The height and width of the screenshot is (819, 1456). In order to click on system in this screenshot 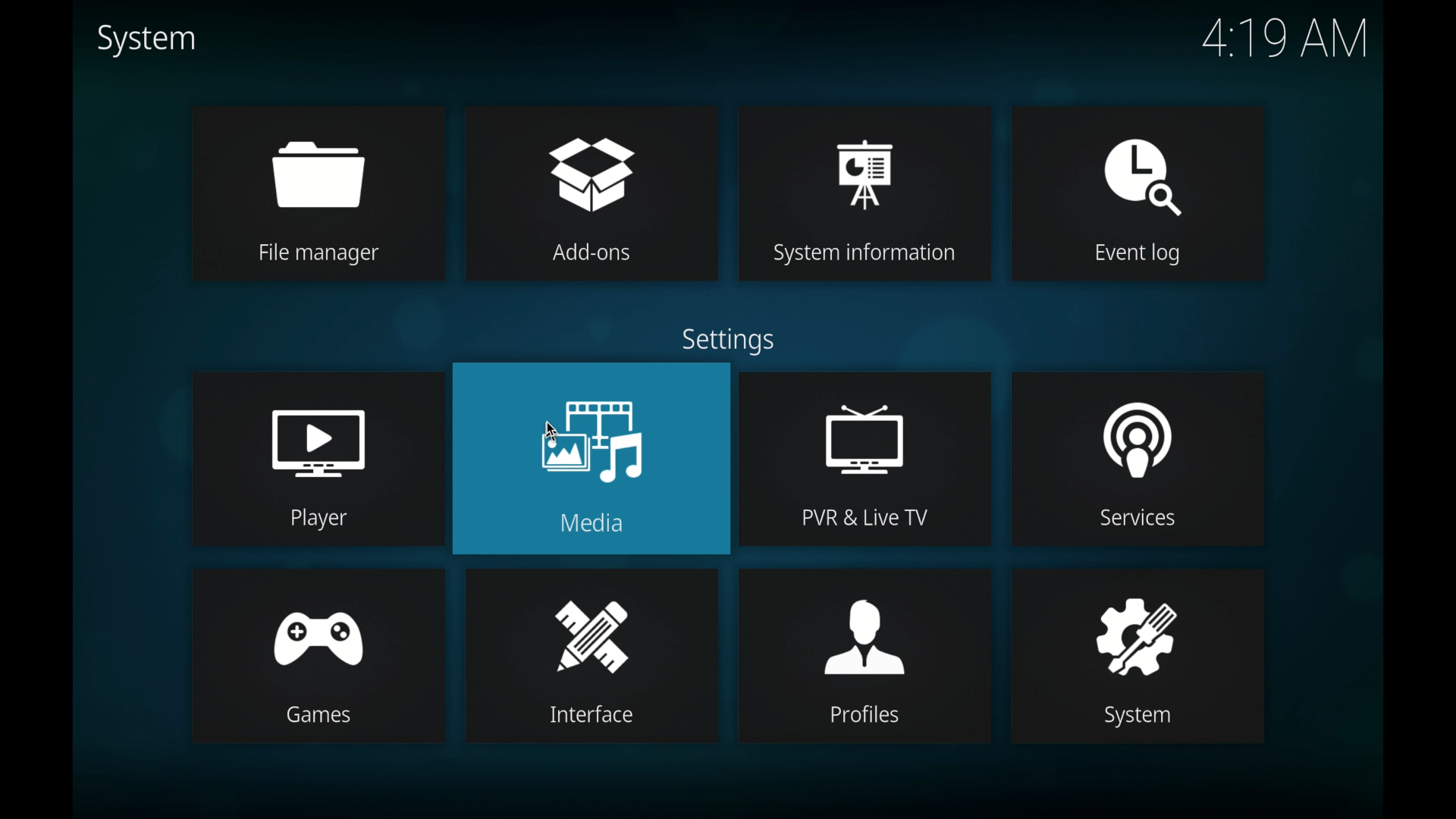, I will do `click(145, 40)`.